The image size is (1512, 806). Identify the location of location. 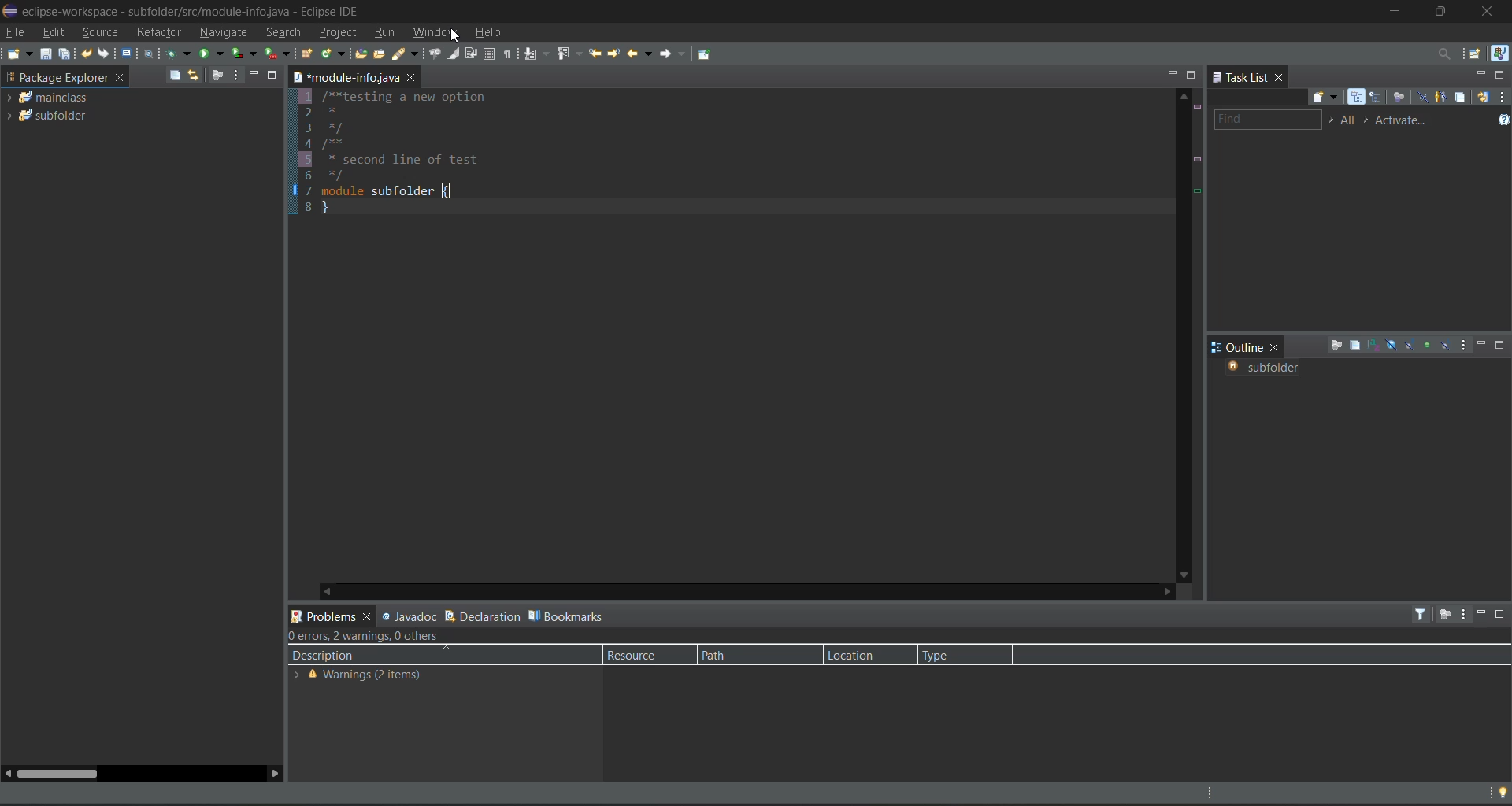
(864, 654).